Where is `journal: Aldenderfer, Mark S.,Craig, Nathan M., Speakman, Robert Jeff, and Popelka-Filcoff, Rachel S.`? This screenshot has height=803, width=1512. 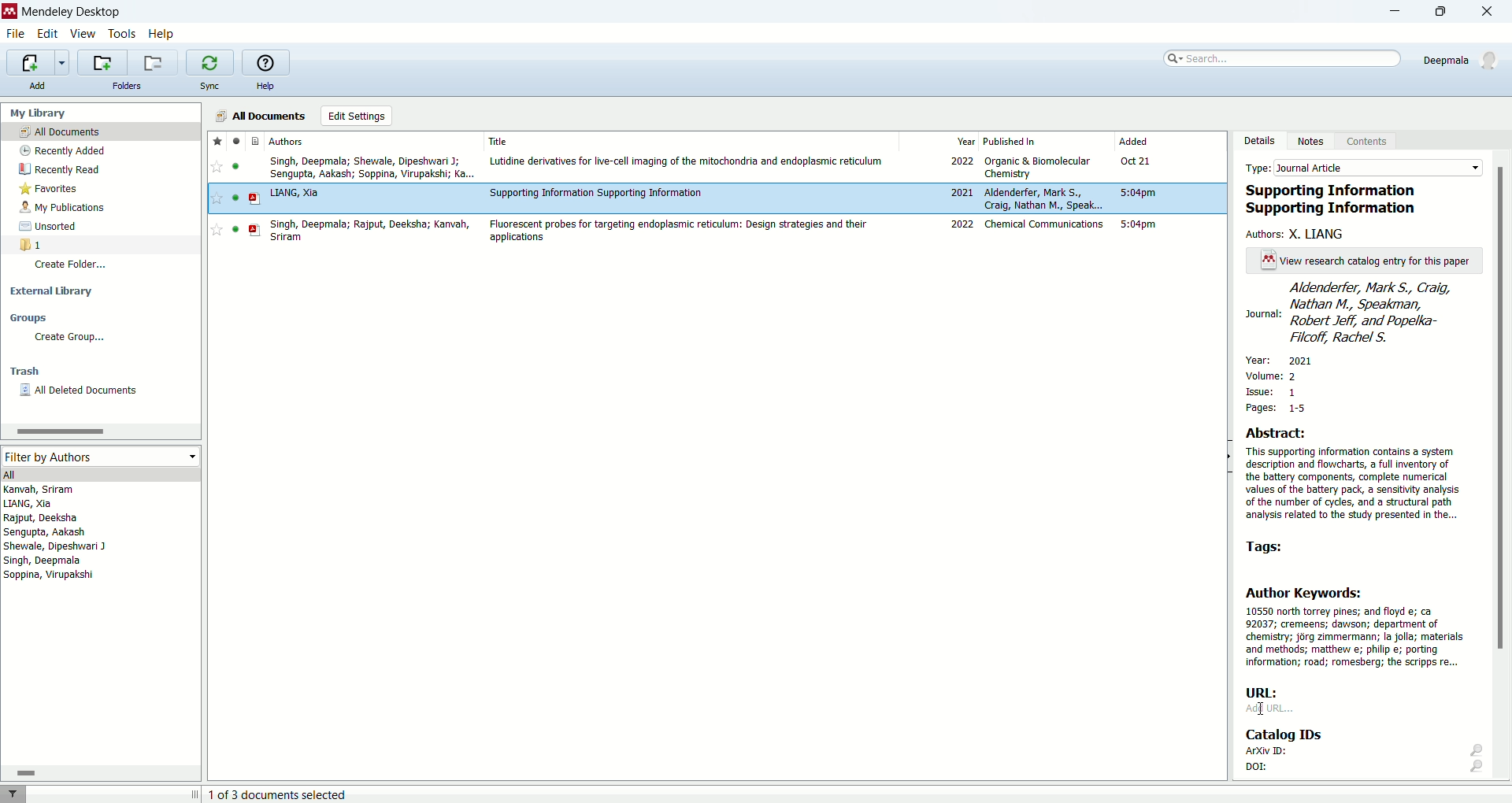 journal: Aldenderfer, Mark S.,Craig, Nathan M., Speakman, Robert Jeff, and Popelka-Filcoff, Rachel S. is located at coordinates (1363, 313).